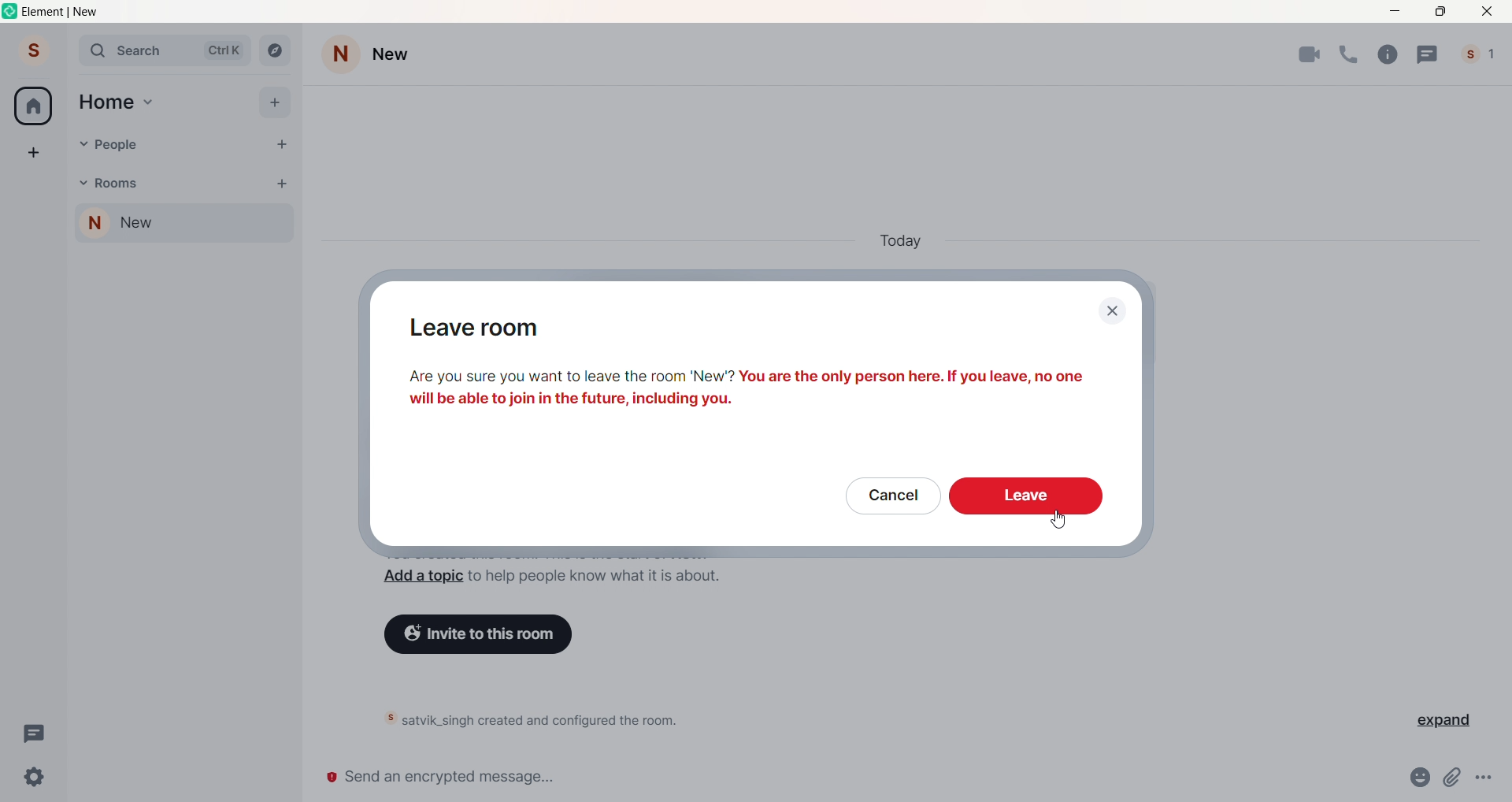  I want to click on attachments, so click(1456, 778).